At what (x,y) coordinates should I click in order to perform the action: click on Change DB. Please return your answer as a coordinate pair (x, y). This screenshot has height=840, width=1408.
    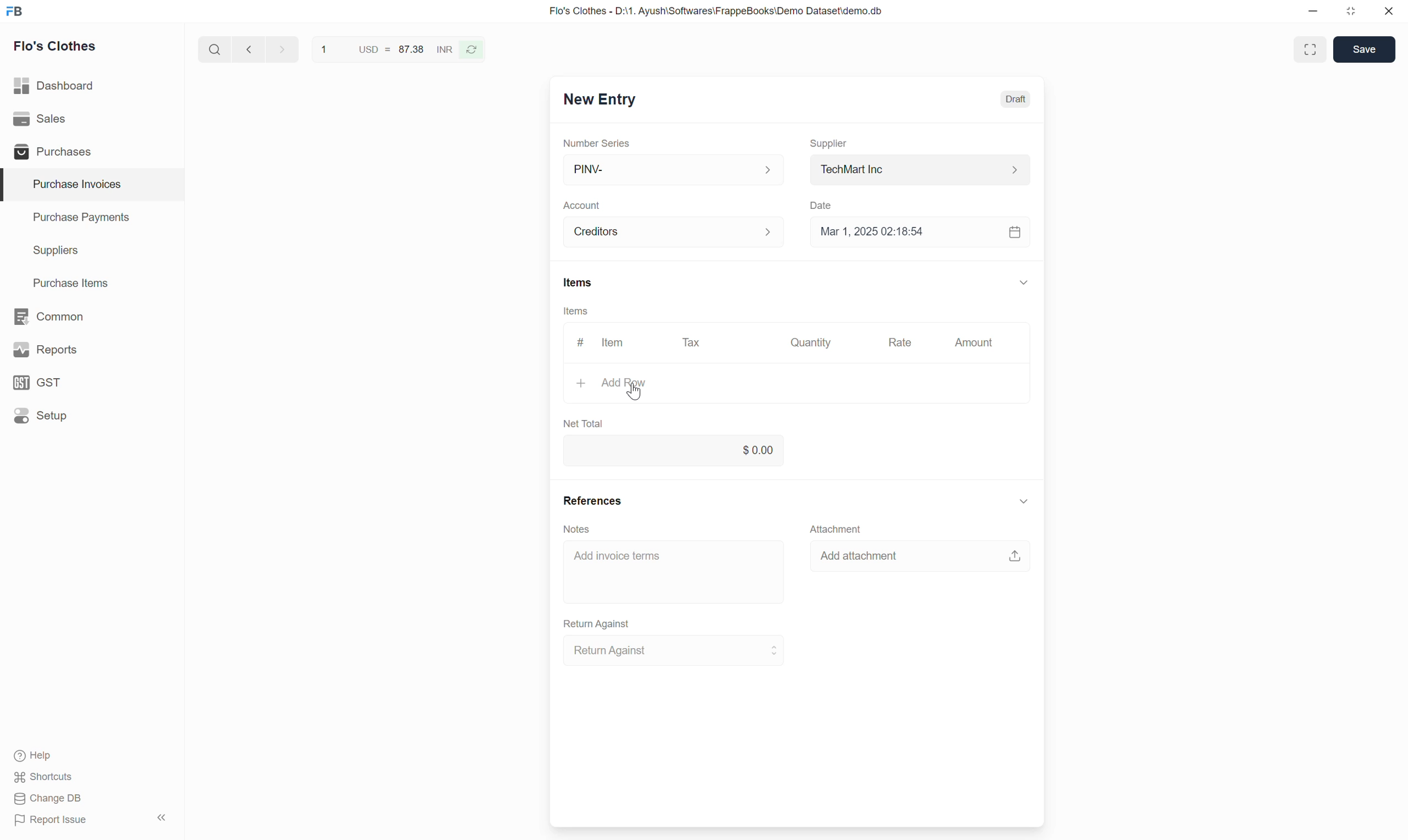
    Looking at the image, I should click on (49, 798).